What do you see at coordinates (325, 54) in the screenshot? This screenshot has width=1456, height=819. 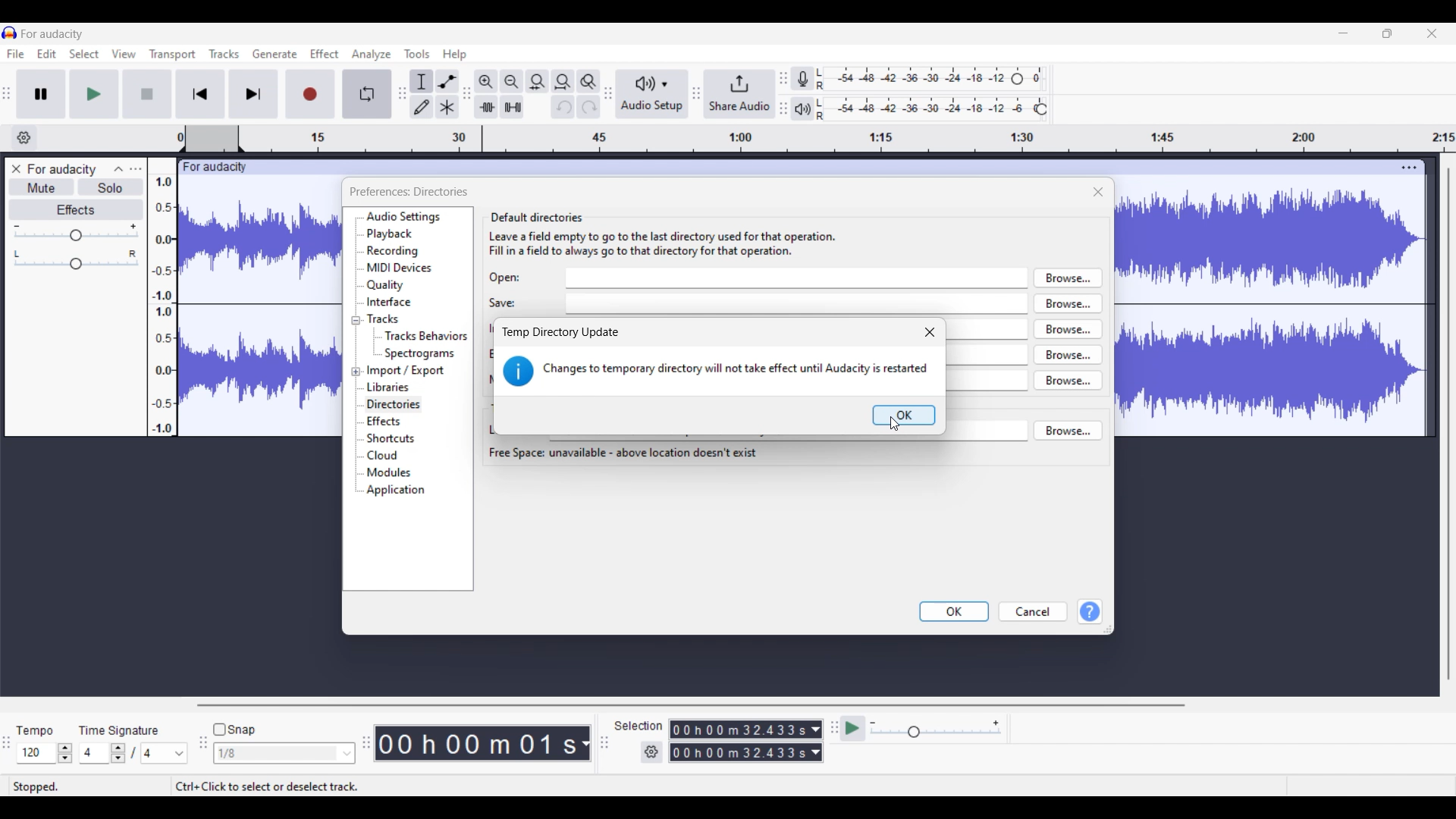 I see `Effect menu` at bounding box center [325, 54].